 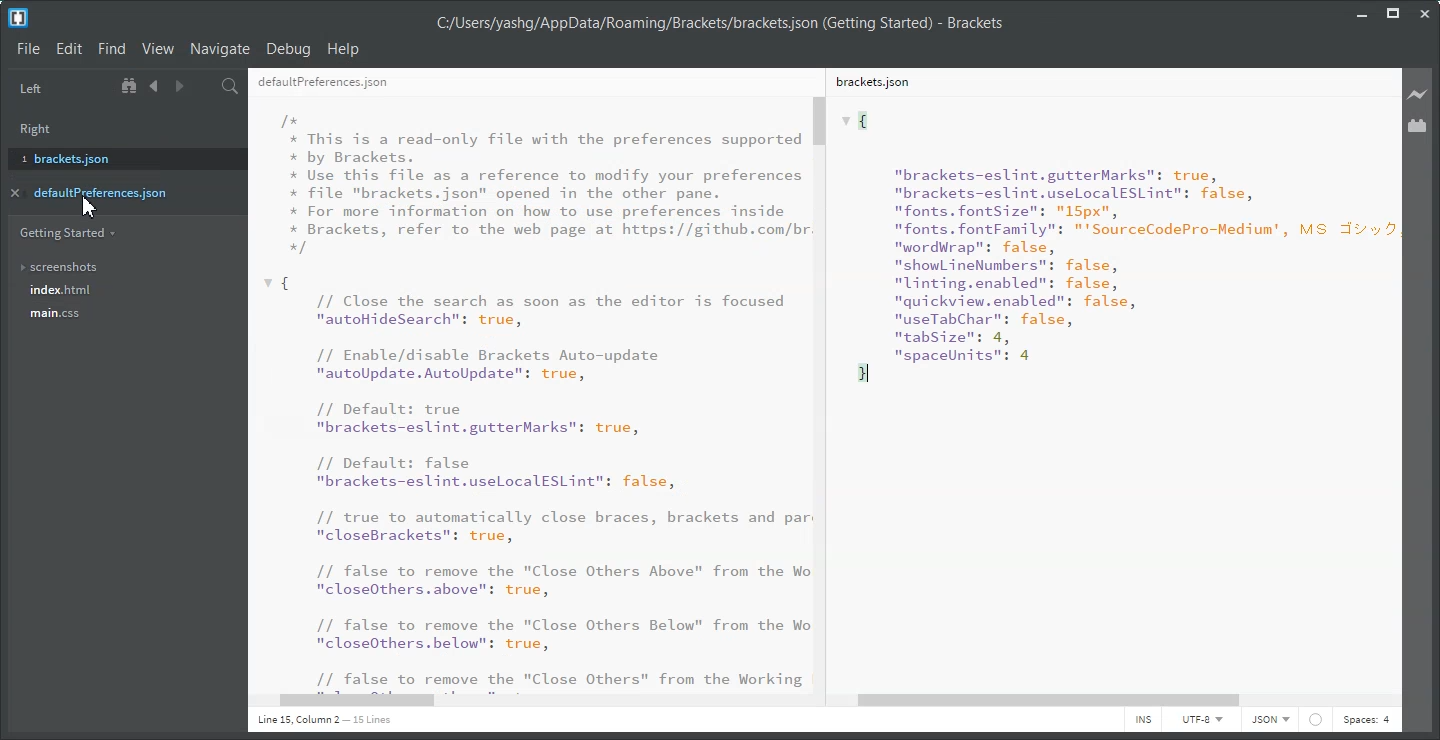 I want to click on Text, so click(x=719, y=24).